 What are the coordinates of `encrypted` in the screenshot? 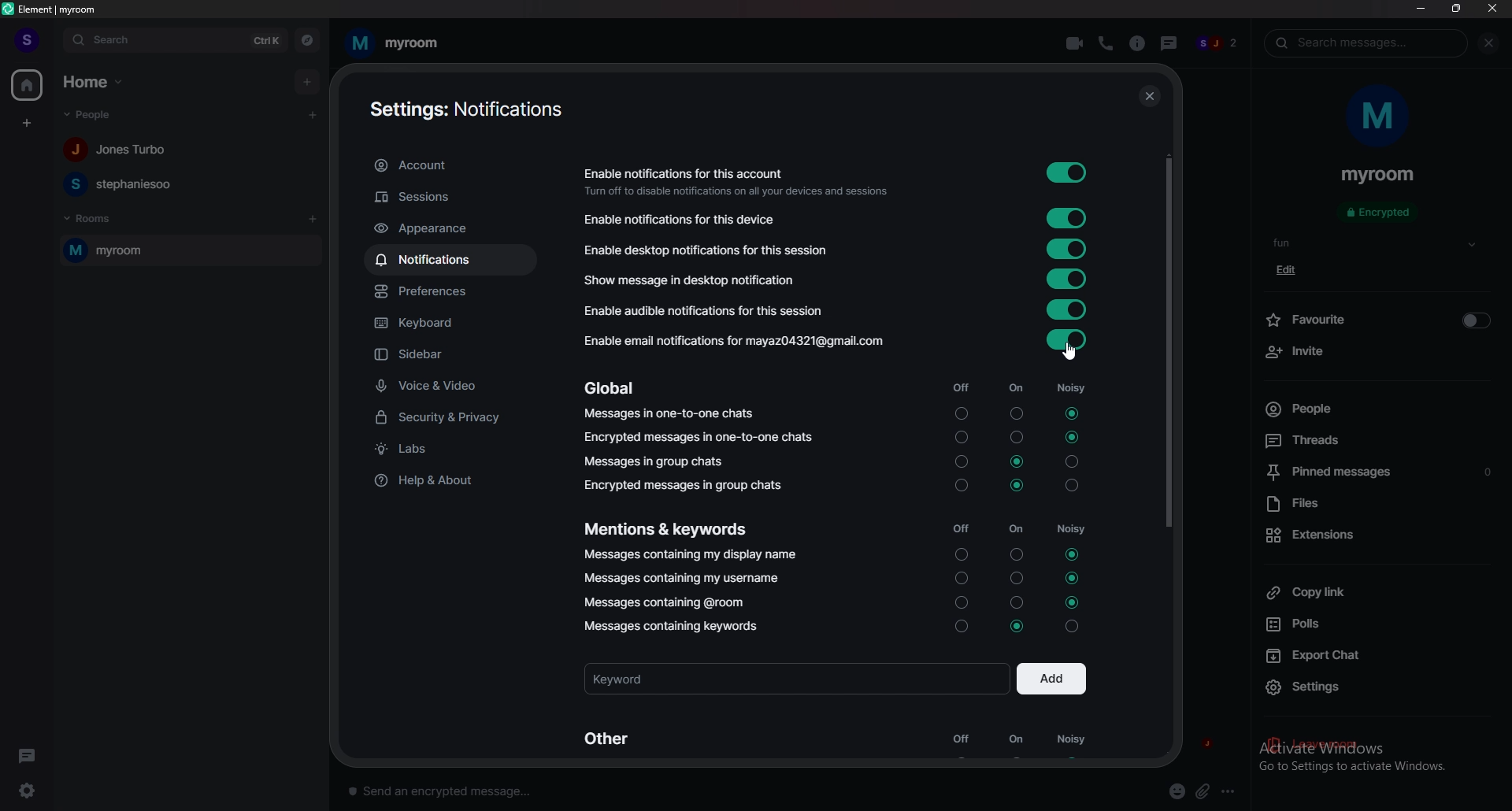 It's located at (1381, 213).